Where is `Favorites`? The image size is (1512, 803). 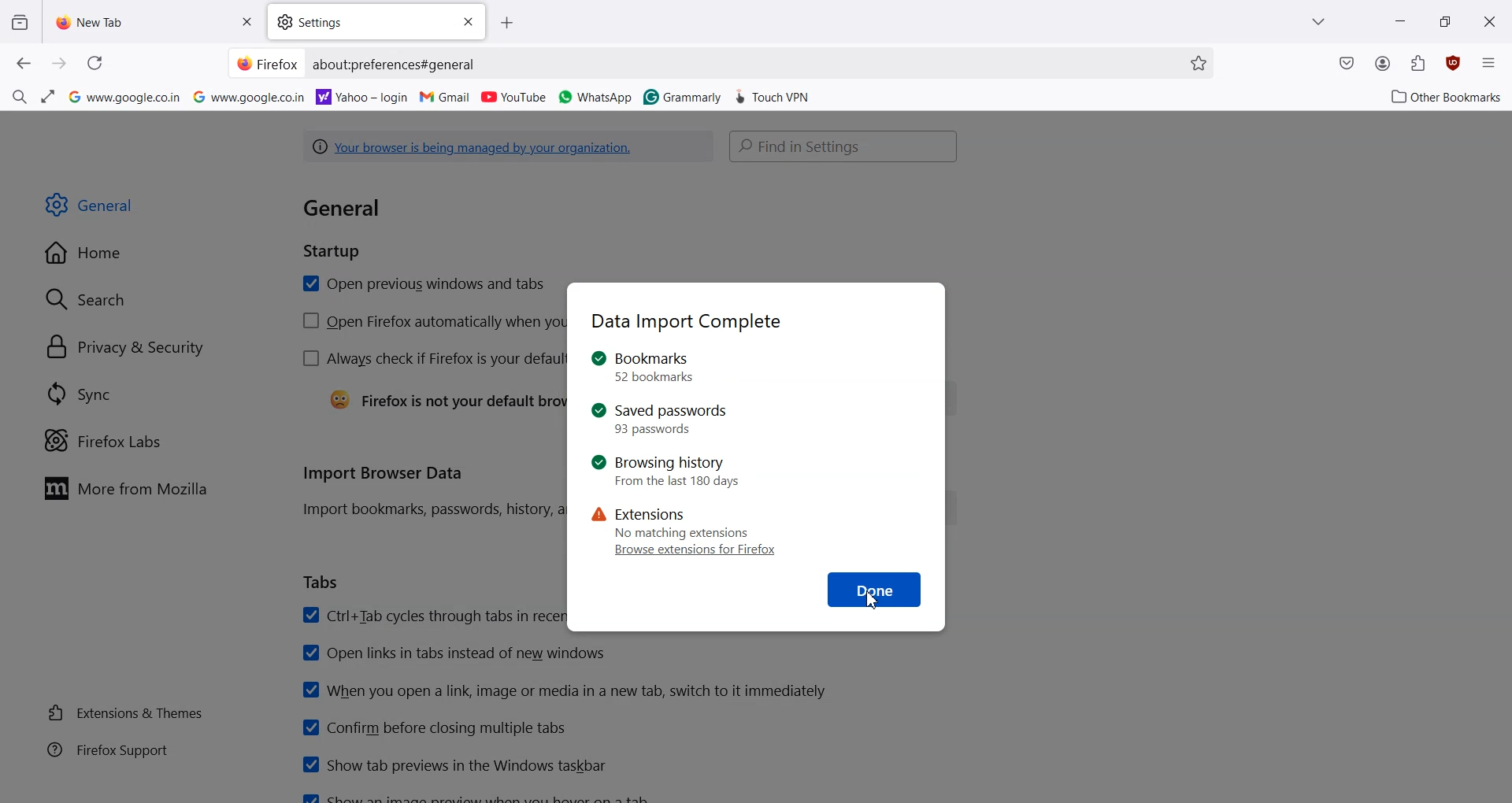
Favorites is located at coordinates (1198, 63).